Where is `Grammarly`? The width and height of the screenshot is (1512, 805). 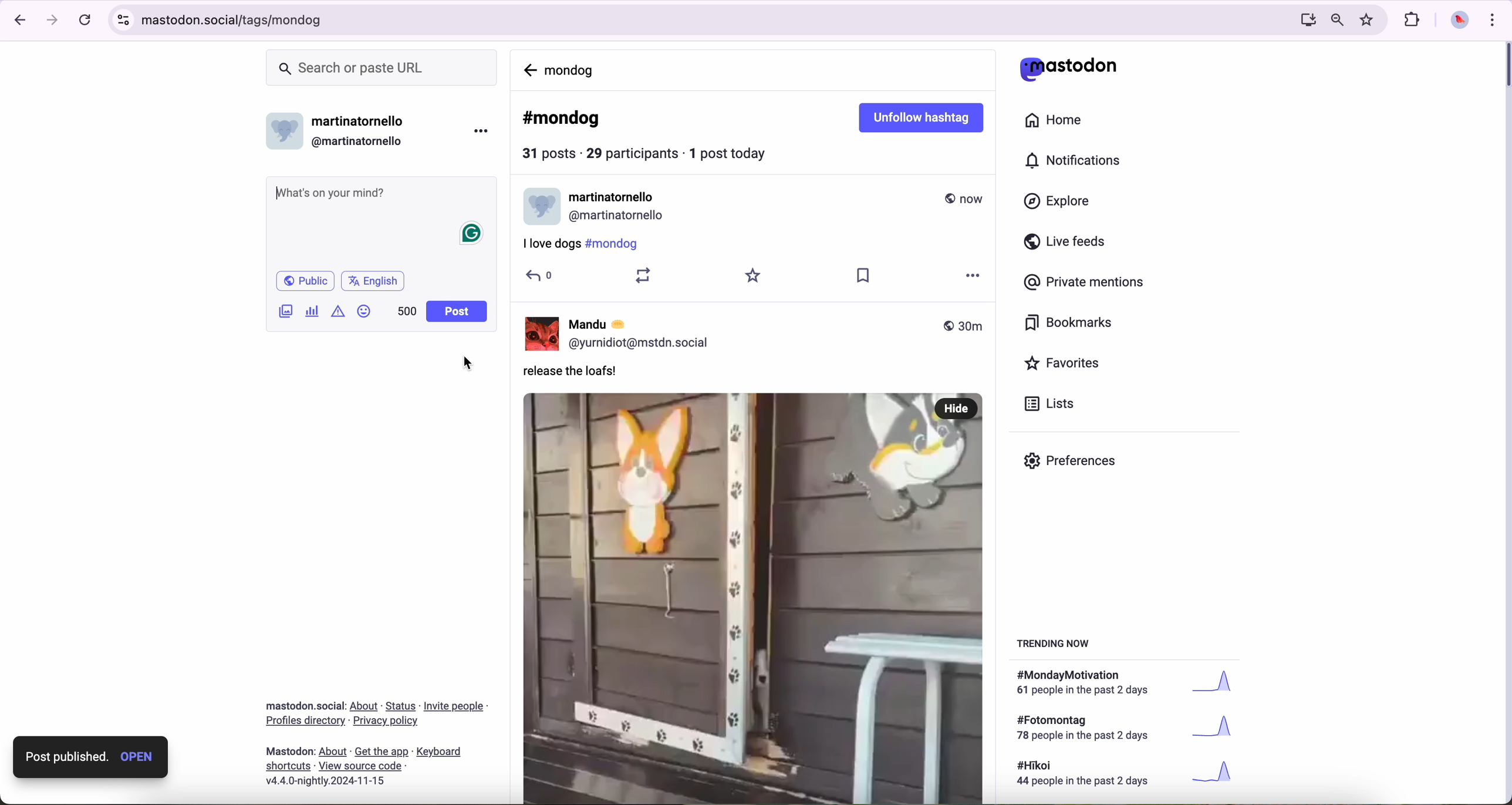
Grammarly is located at coordinates (471, 234).